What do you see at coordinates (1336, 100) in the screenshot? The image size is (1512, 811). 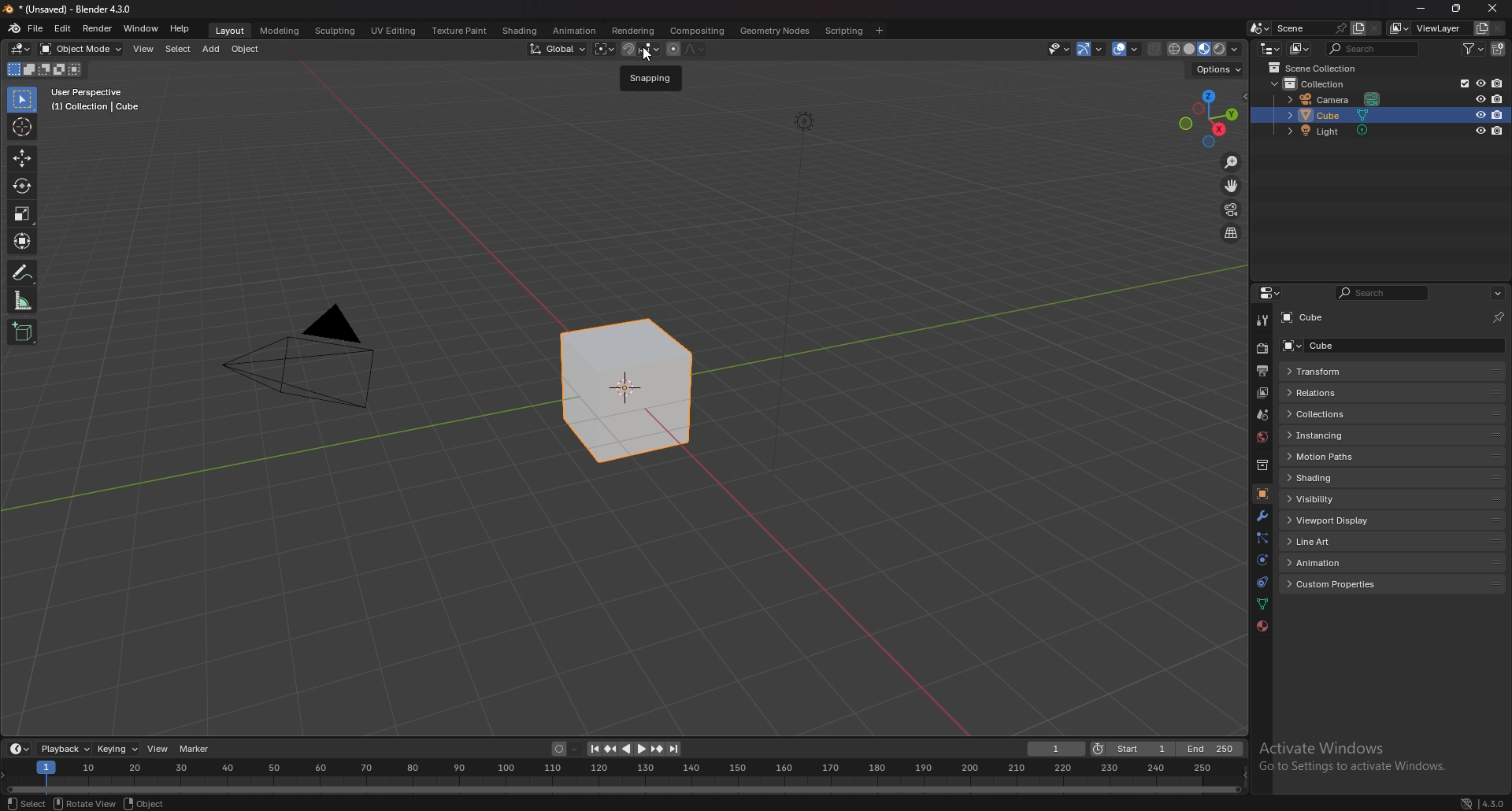 I see `camera` at bounding box center [1336, 100].